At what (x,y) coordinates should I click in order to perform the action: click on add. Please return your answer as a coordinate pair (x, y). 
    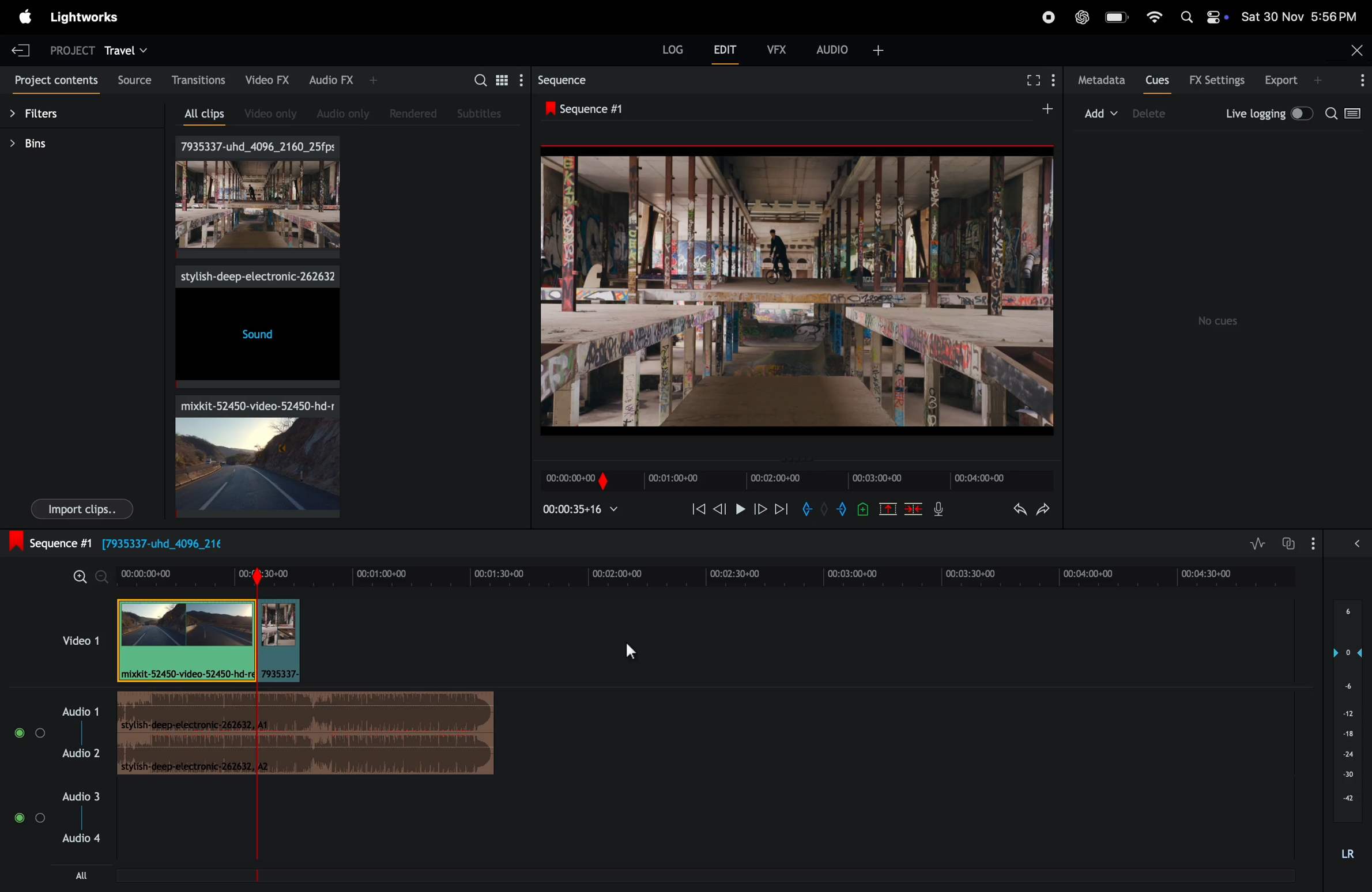
    Looking at the image, I should click on (1039, 110).